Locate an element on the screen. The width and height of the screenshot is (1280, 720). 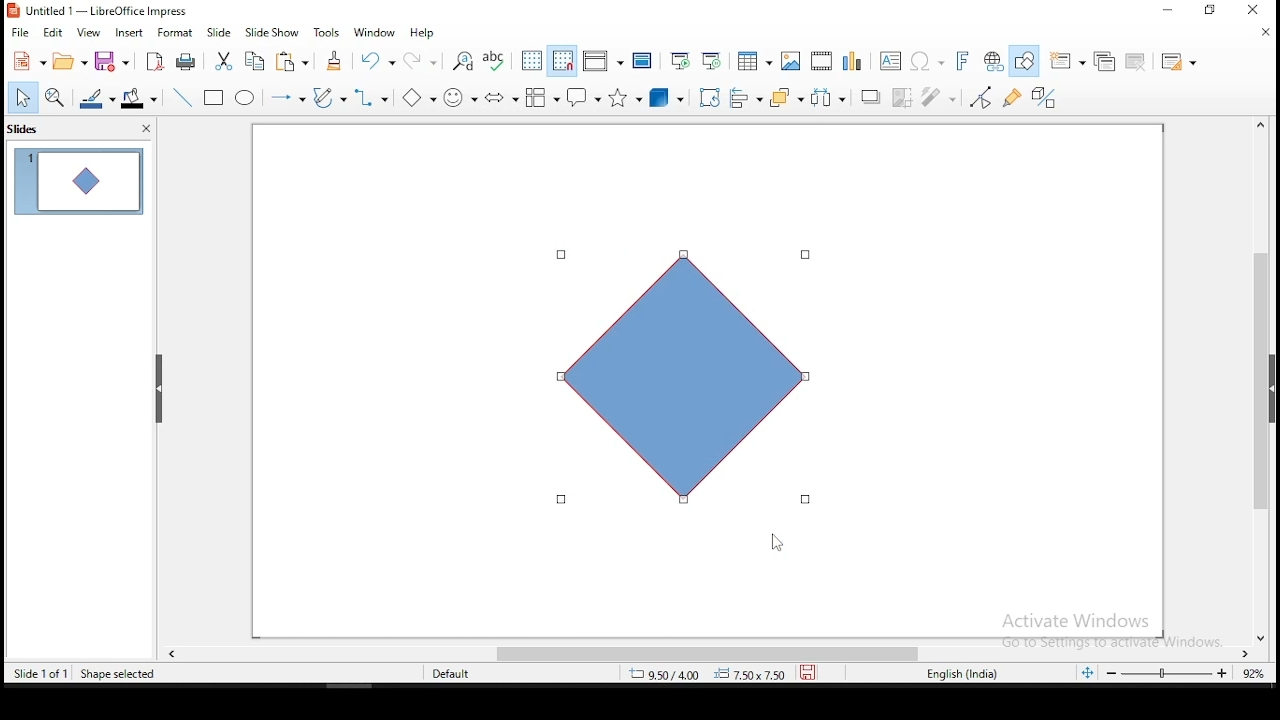
scroll right is located at coordinates (1249, 651).